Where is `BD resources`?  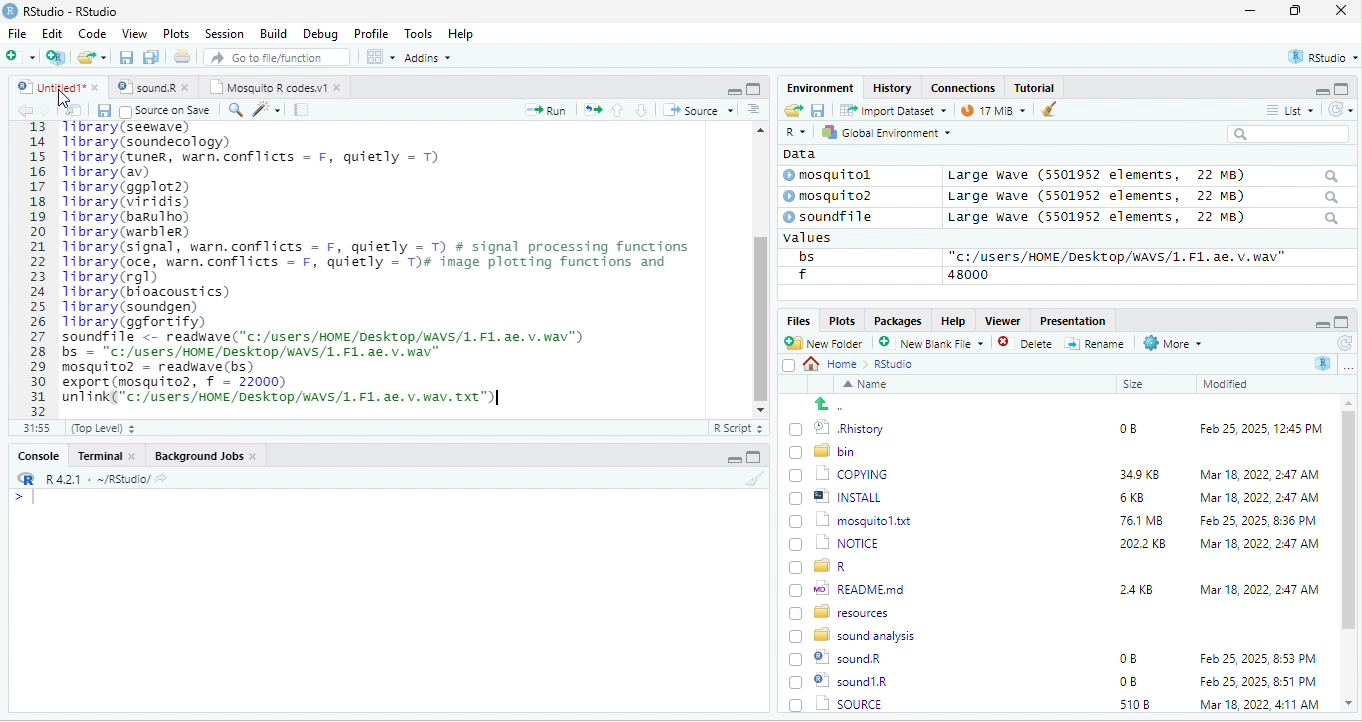 BD resources is located at coordinates (843, 610).